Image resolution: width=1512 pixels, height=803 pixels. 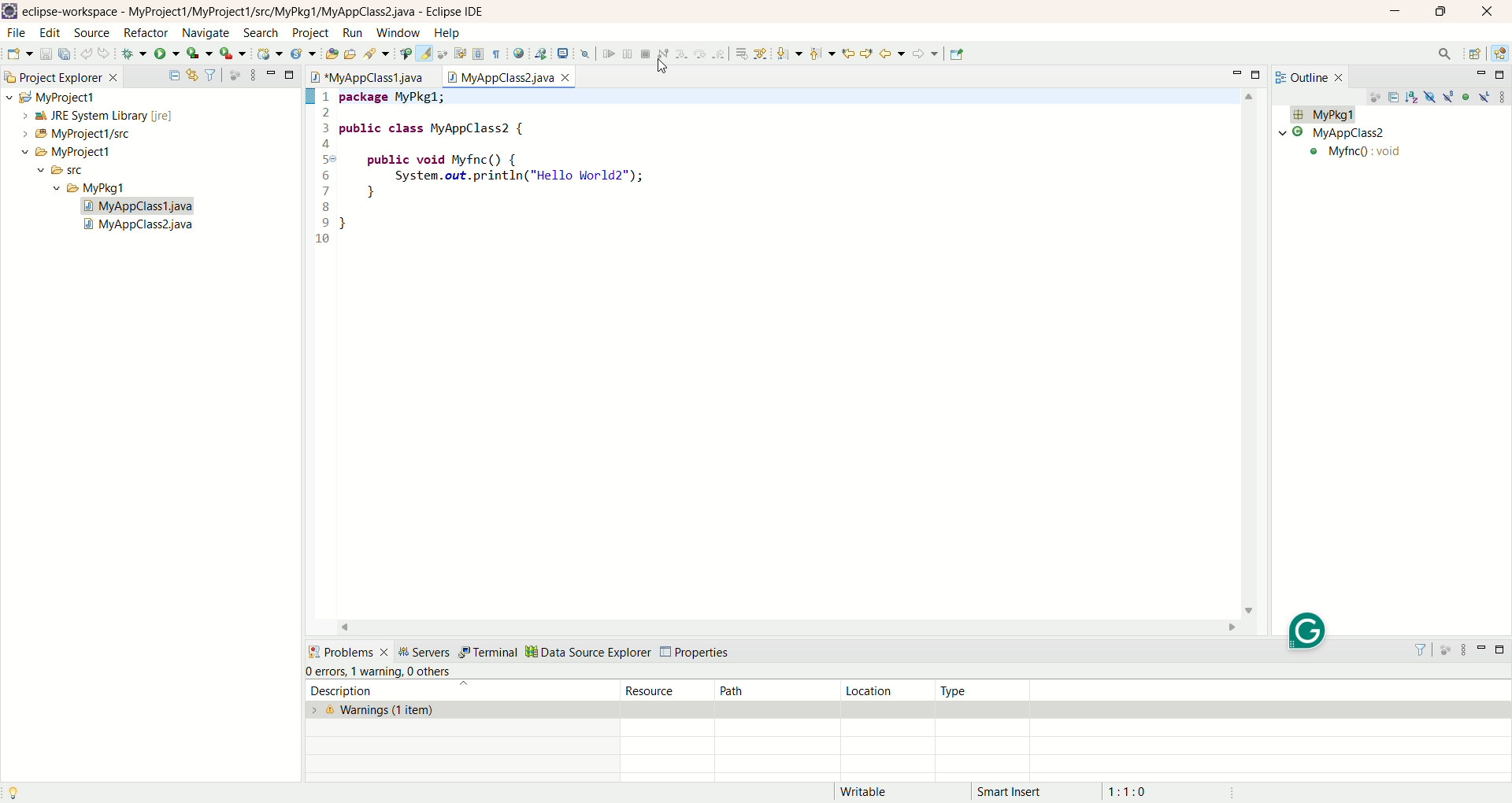 What do you see at coordinates (986, 690) in the screenshot?
I see `type` at bounding box center [986, 690].